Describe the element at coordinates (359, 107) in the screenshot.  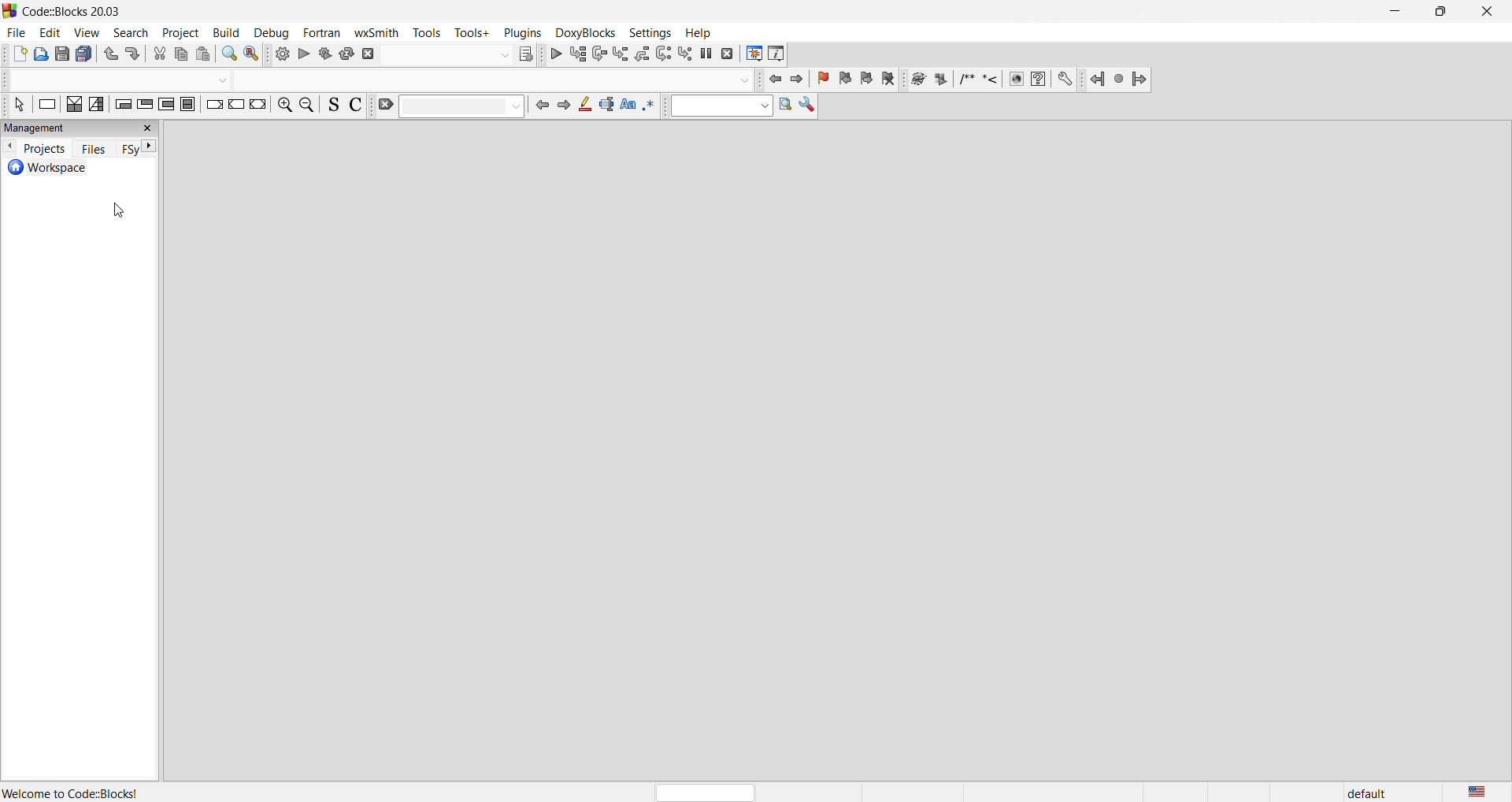
I see `toggle to comment` at that location.